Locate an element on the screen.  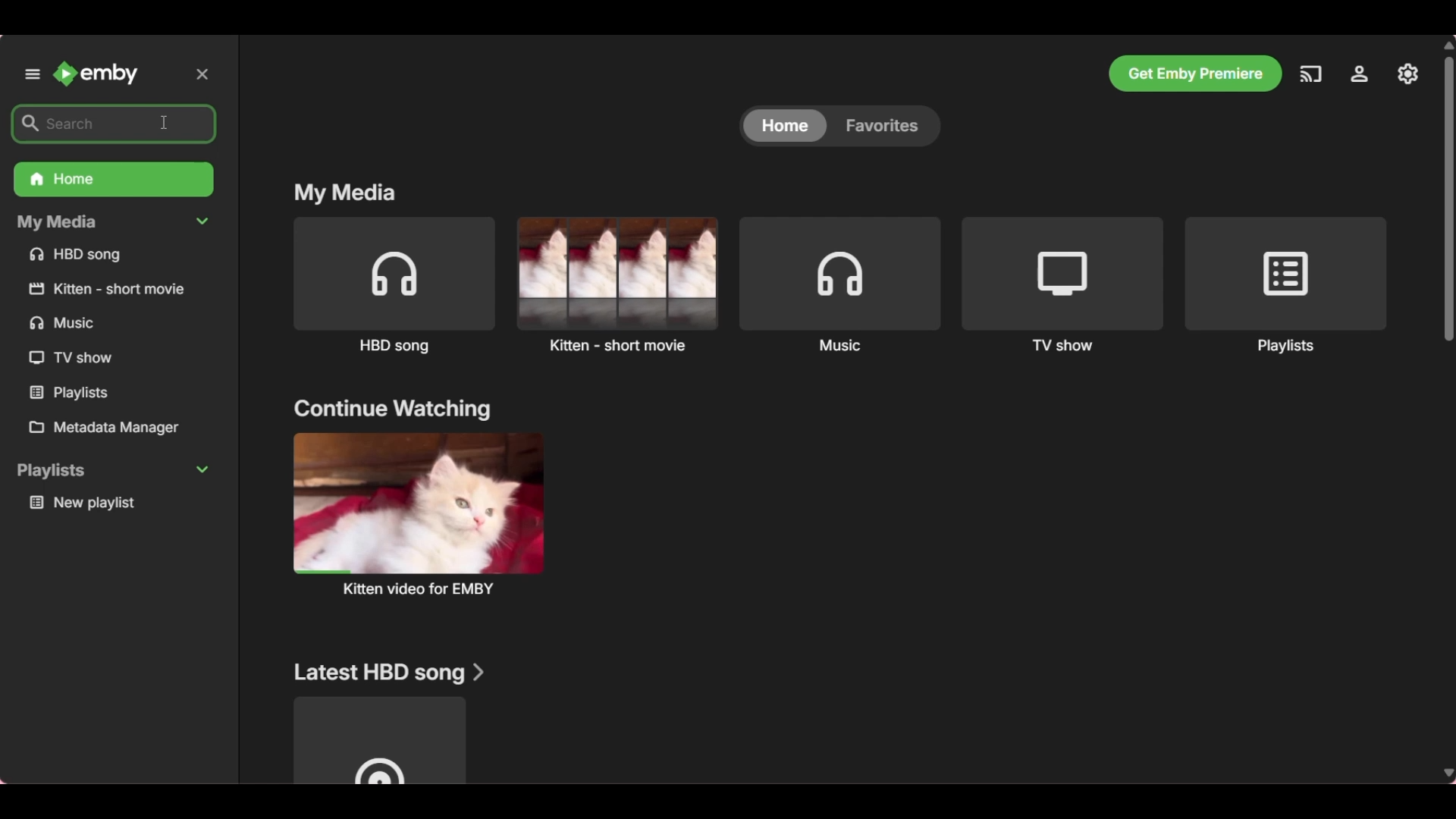
Media under above mentioned title is located at coordinates (378, 740).